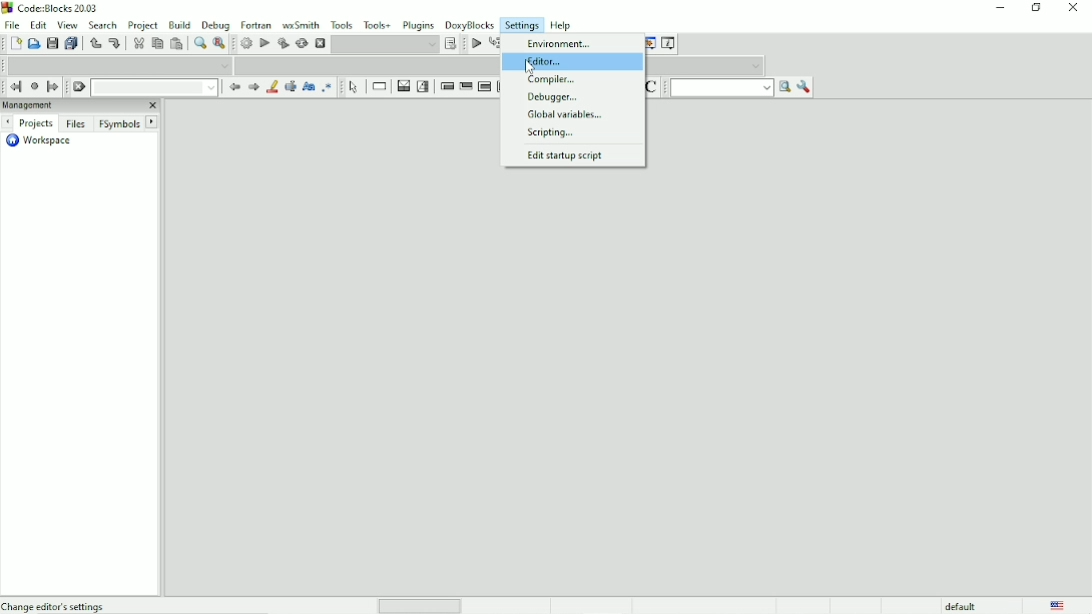 The image size is (1092, 614). Describe the element at coordinates (447, 87) in the screenshot. I see `Entry condition loop` at that location.